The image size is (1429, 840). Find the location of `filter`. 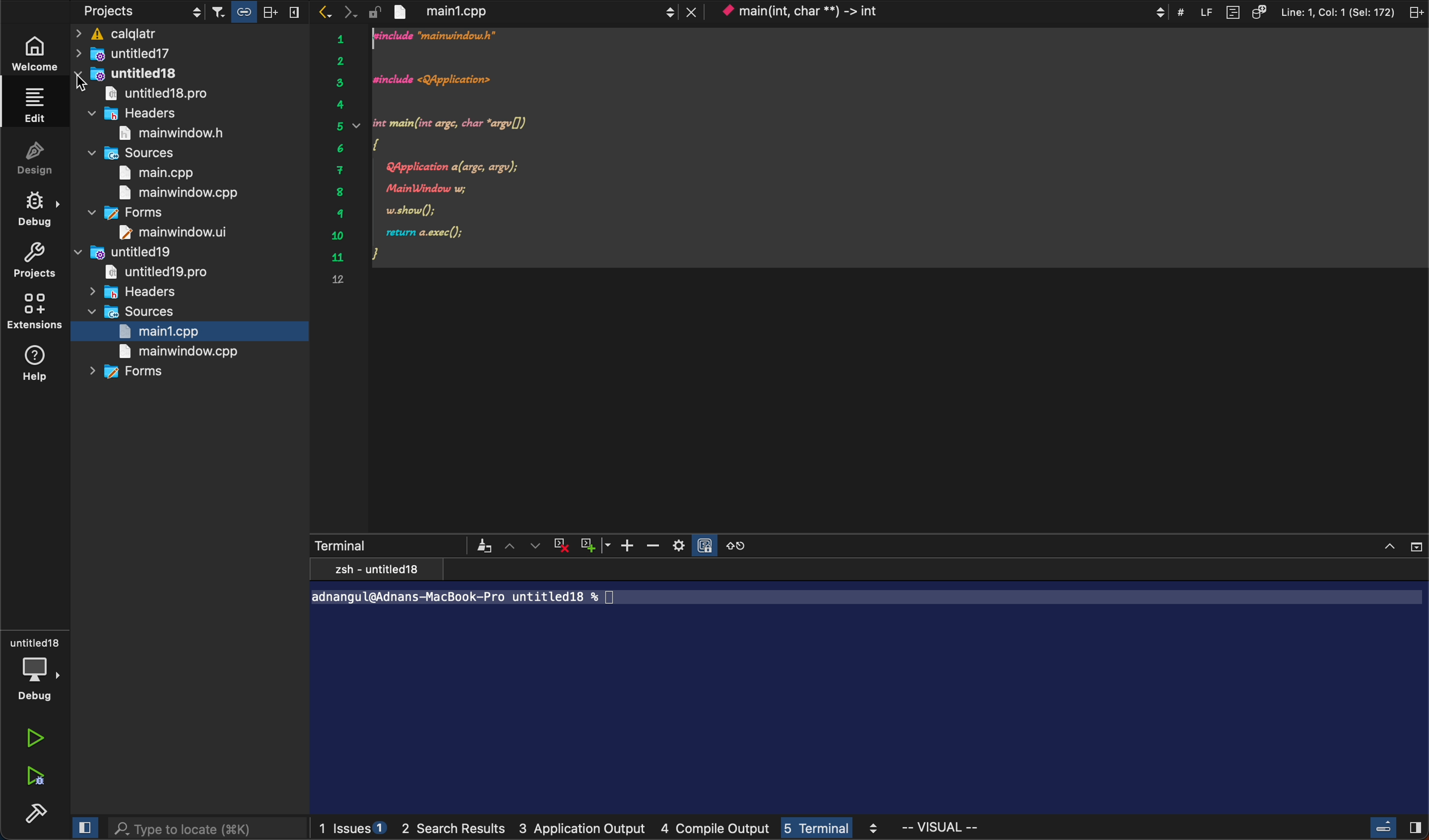

filter is located at coordinates (252, 12).